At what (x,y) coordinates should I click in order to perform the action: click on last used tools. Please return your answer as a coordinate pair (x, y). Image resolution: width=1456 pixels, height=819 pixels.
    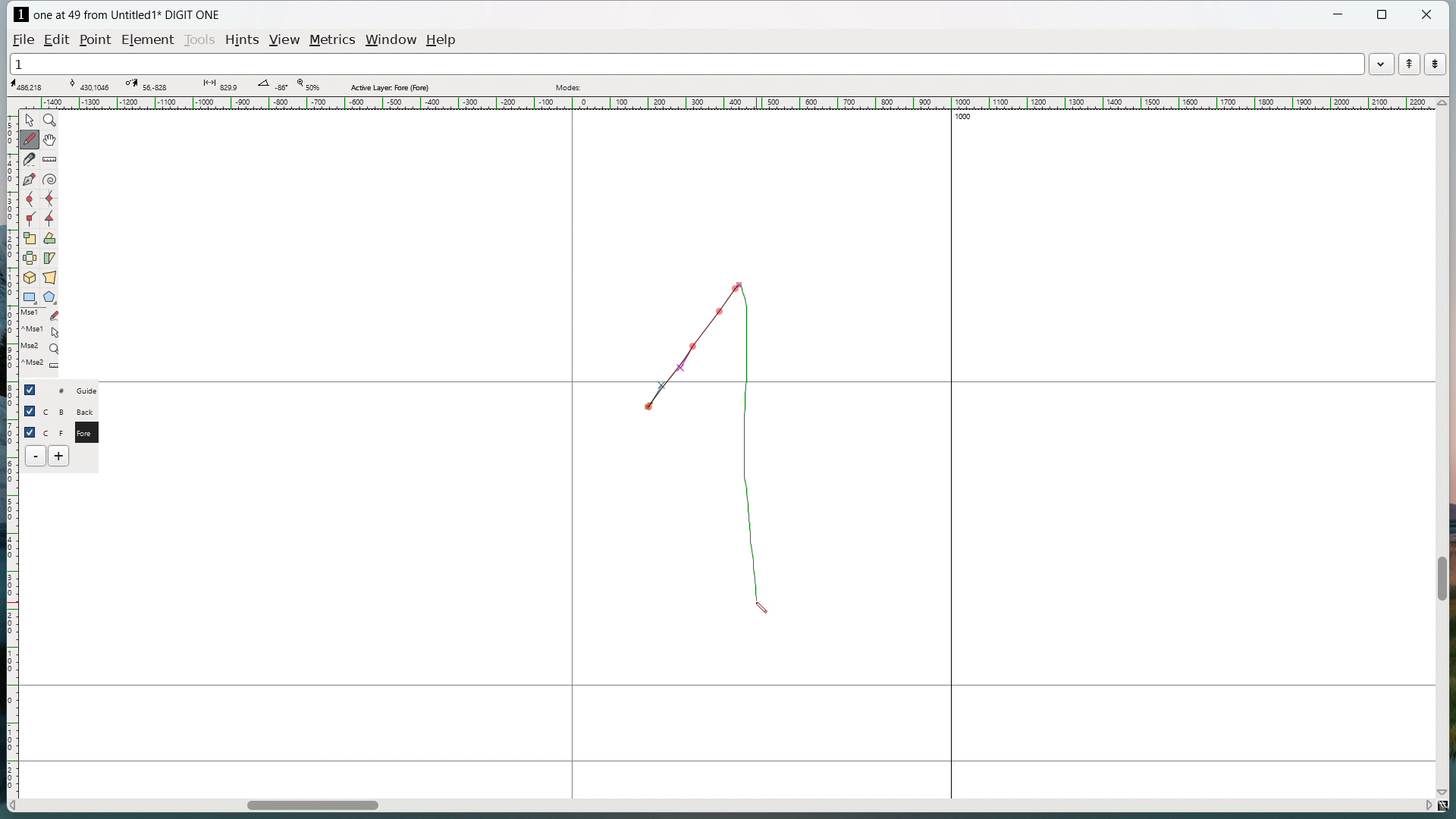
    Looking at the image, I should click on (39, 343).